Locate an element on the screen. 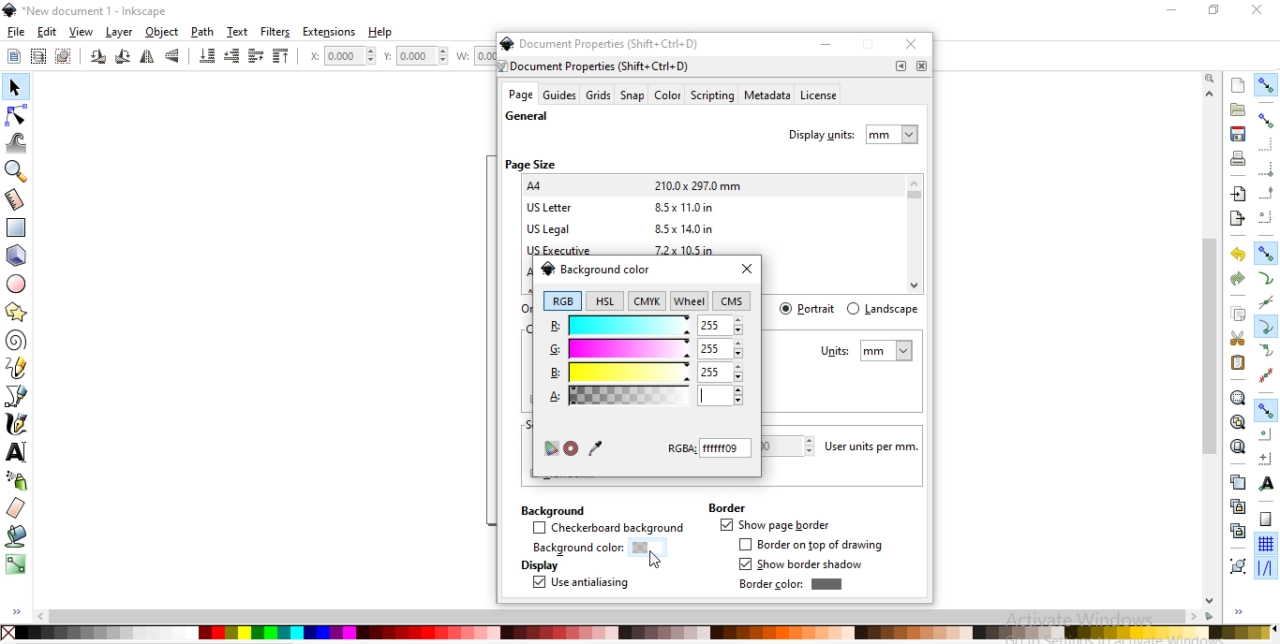 This screenshot has height=644, width=1280. show page border is located at coordinates (774, 526).